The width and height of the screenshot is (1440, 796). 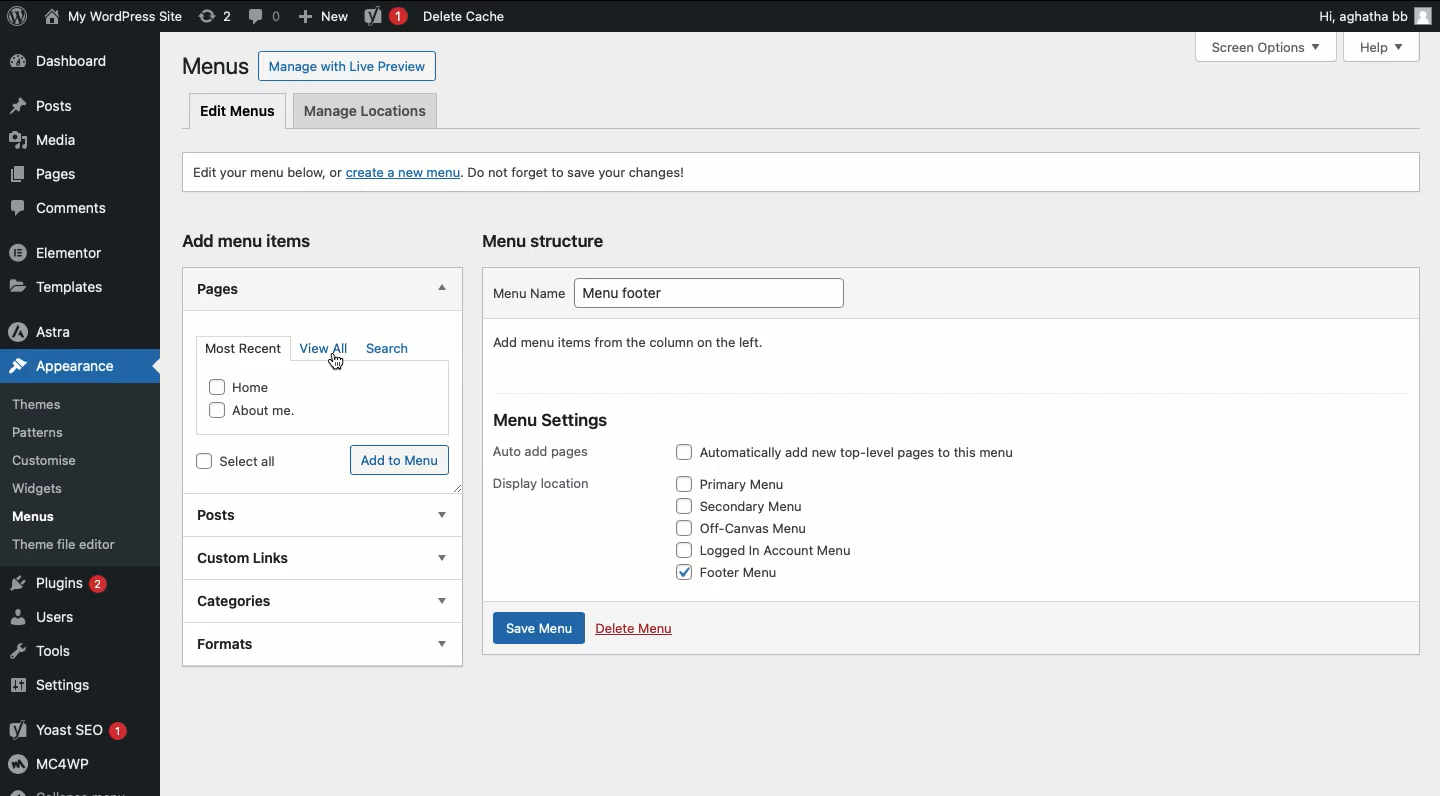 What do you see at coordinates (699, 293) in the screenshot?
I see `Menu footer` at bounding box center [699, 293].